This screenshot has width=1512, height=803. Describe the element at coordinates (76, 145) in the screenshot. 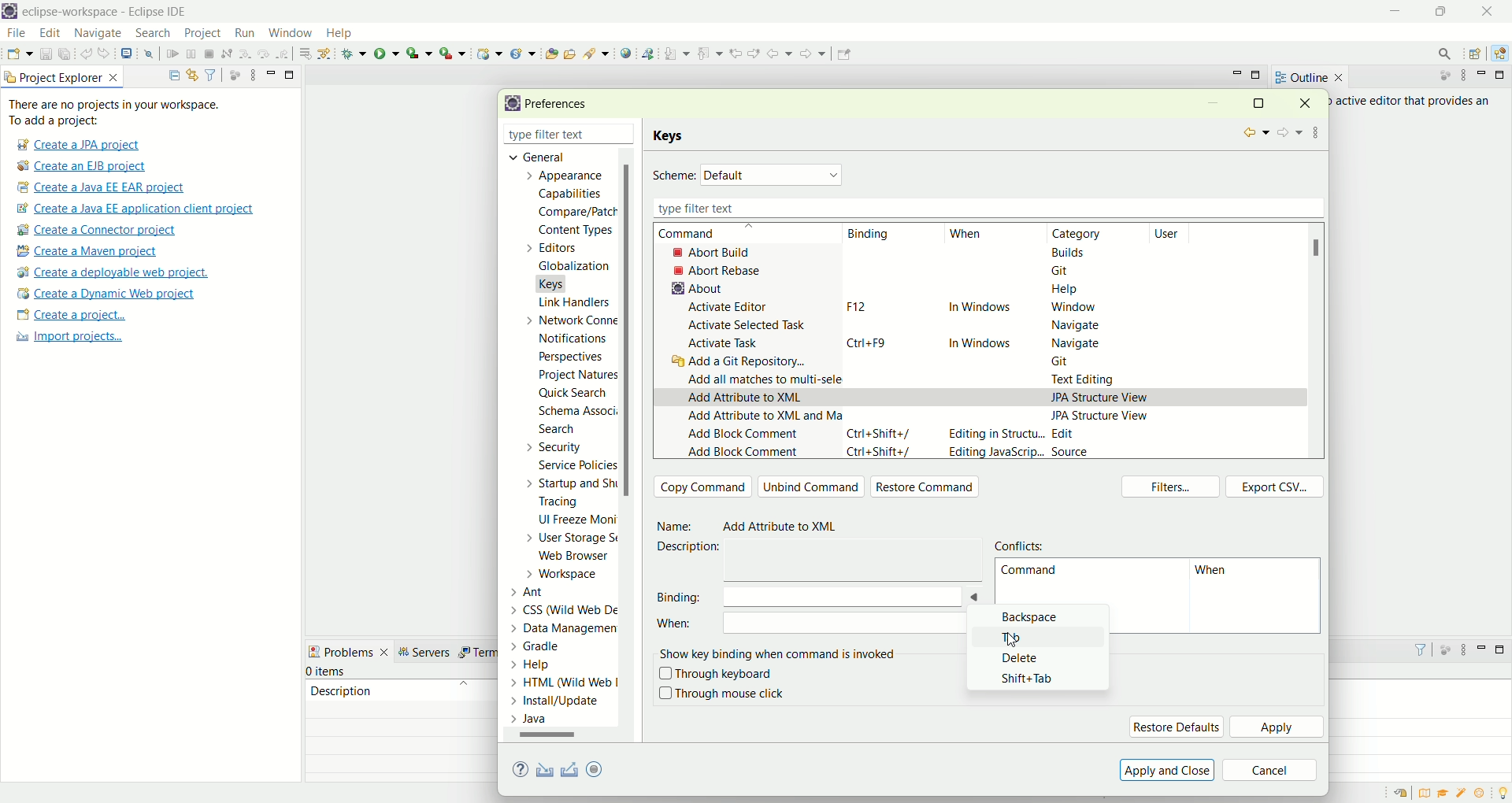

I see `create a JPA project` at that location.